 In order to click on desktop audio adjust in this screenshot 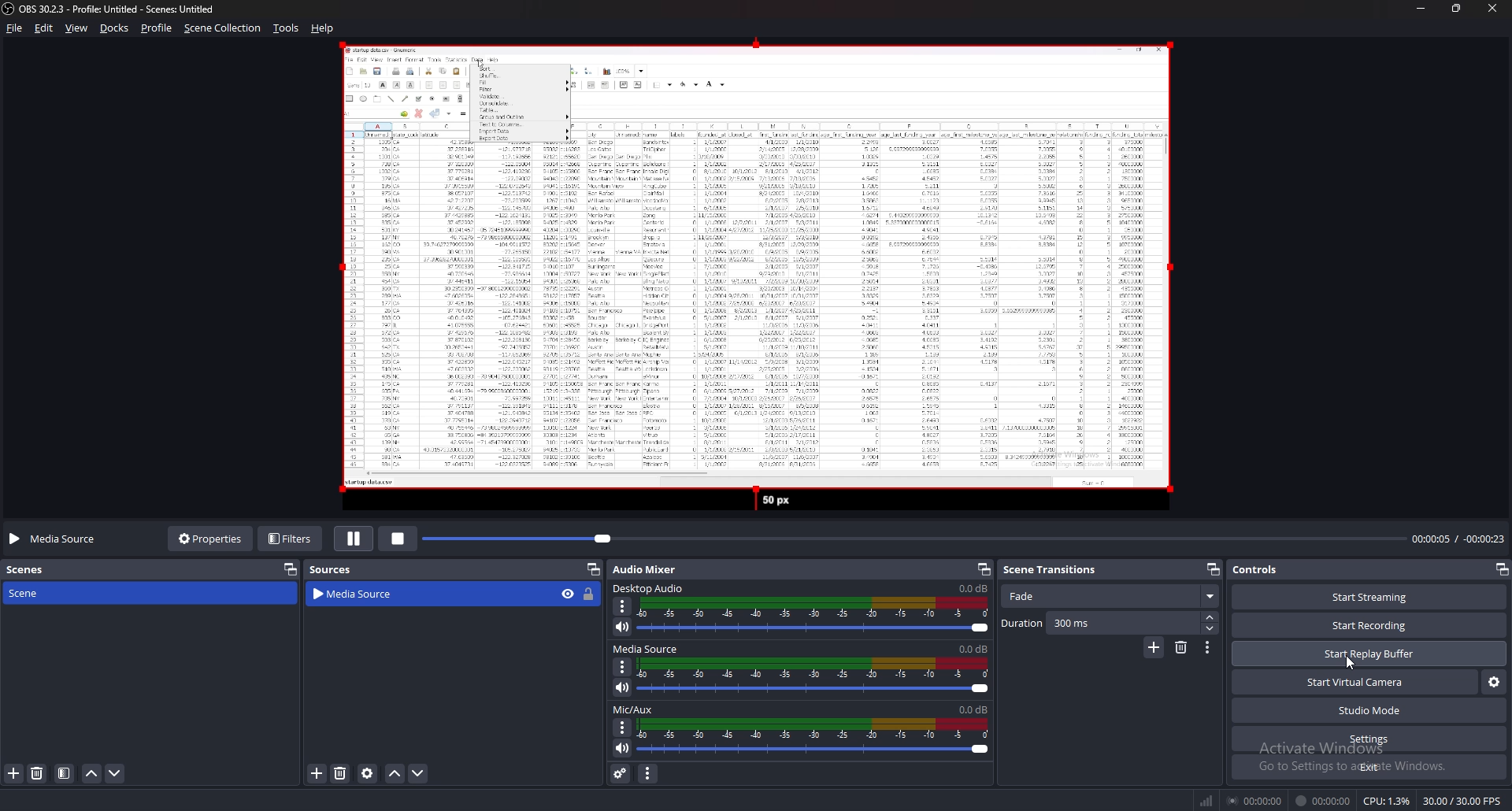, I will do `click(814, 616)`.